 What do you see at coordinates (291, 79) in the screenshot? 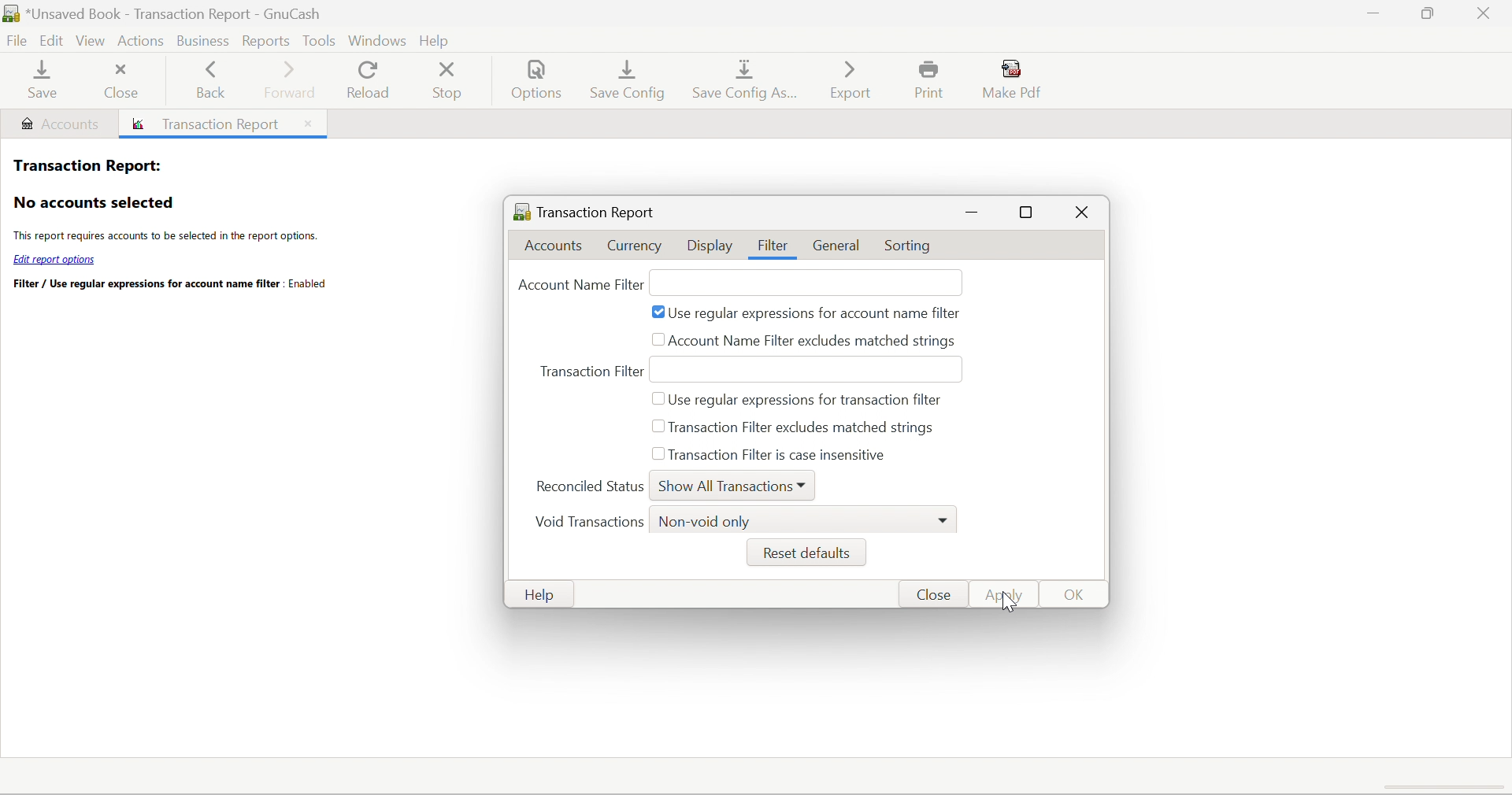
I see `Forward` at bounding box center [291, 79].